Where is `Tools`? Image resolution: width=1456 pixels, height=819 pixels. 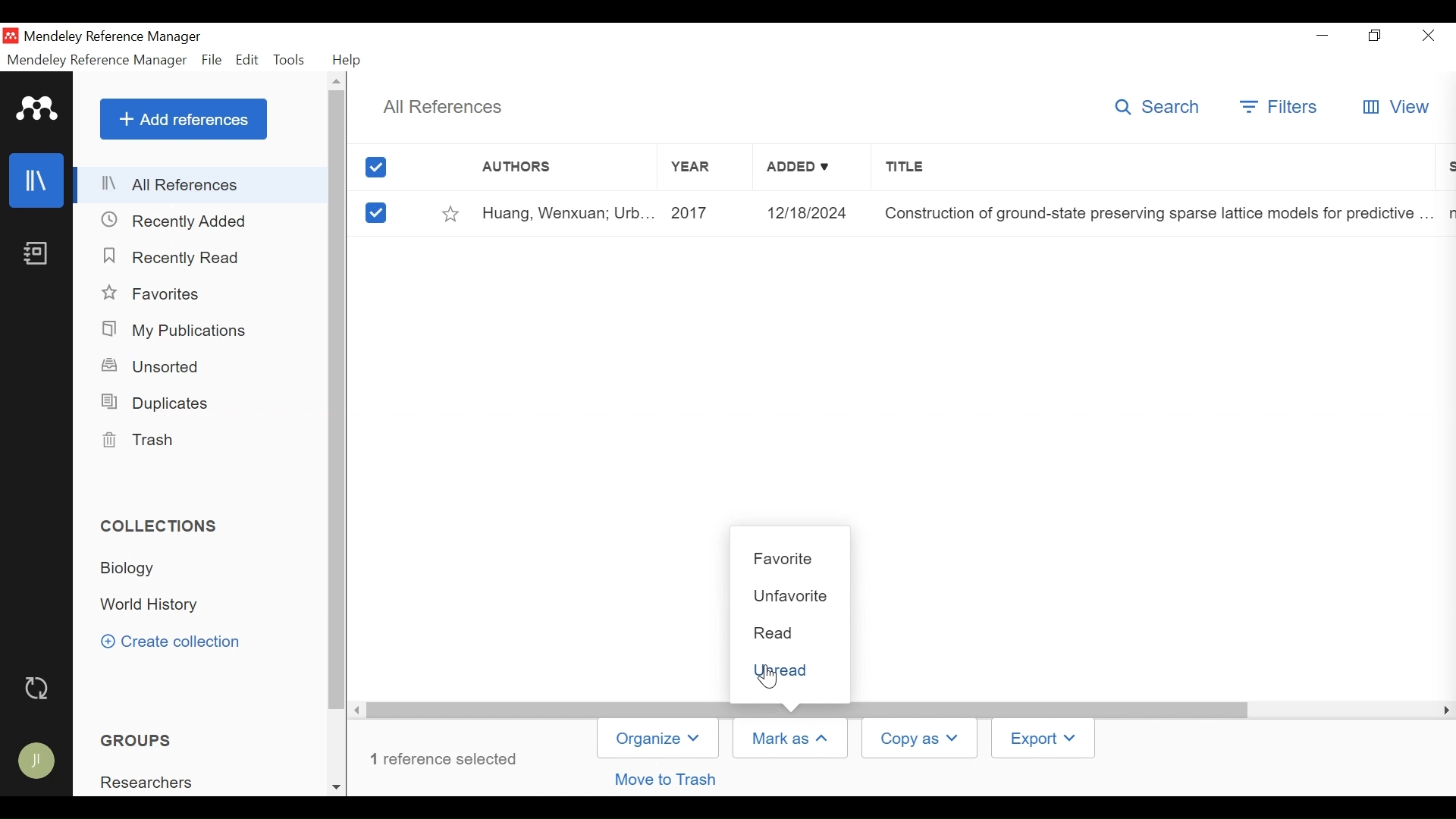
Tools is located at coordinates (290, 60).